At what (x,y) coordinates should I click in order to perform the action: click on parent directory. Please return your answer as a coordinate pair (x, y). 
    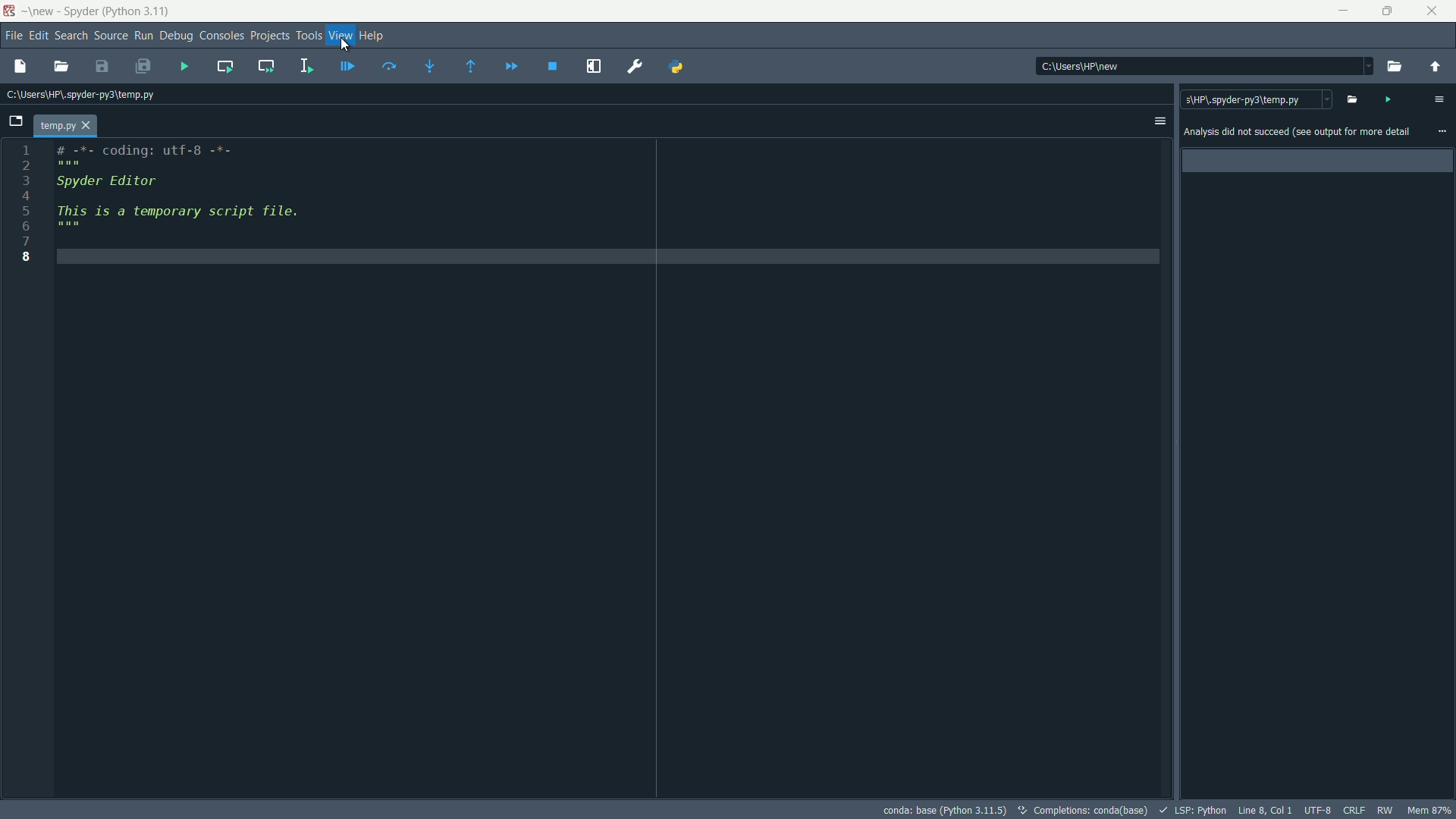
    Looking at the image, I should click on (1441, 67).